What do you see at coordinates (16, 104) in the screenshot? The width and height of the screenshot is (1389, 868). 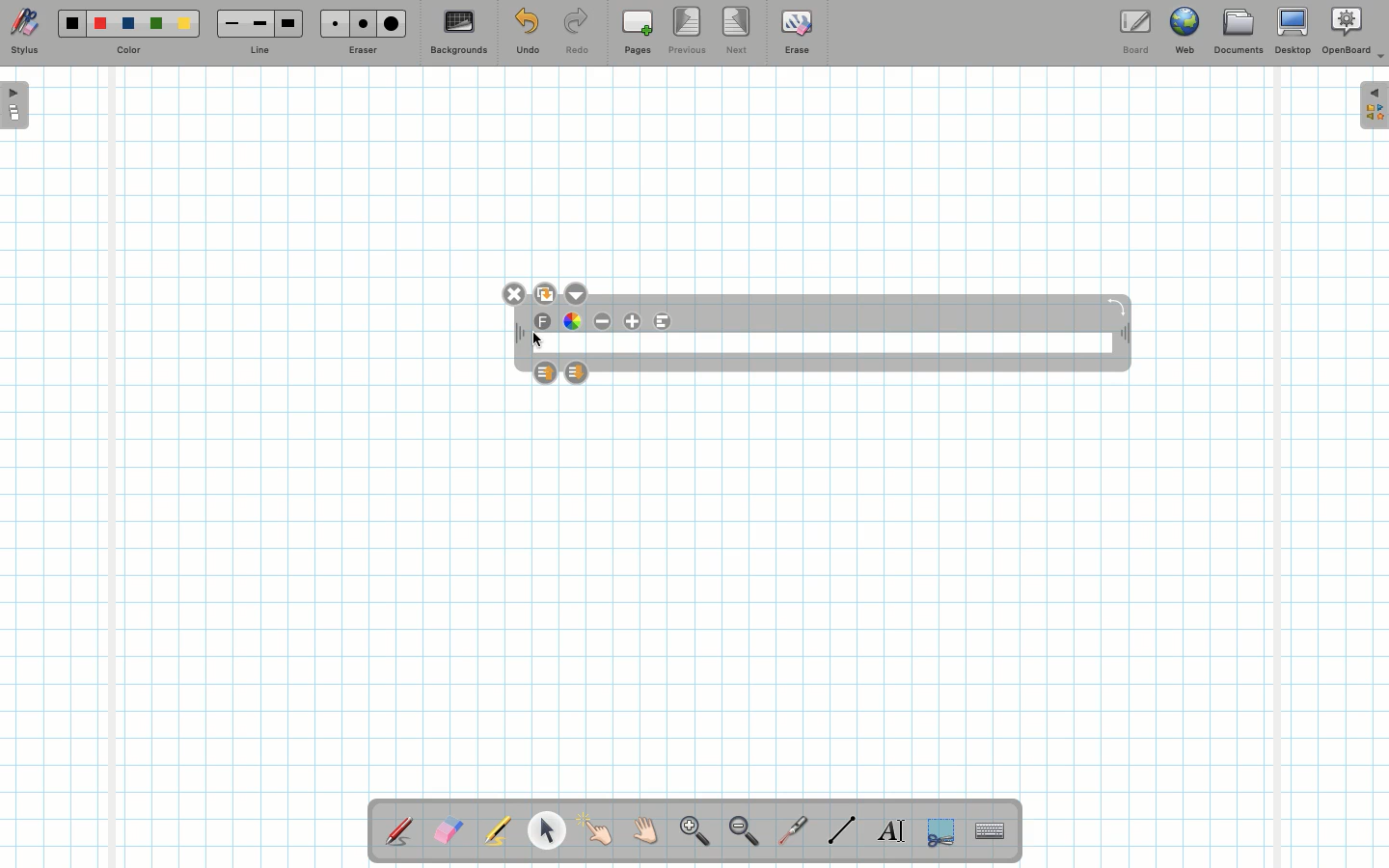 I see `Open pages` at bounding box center [16, 104].